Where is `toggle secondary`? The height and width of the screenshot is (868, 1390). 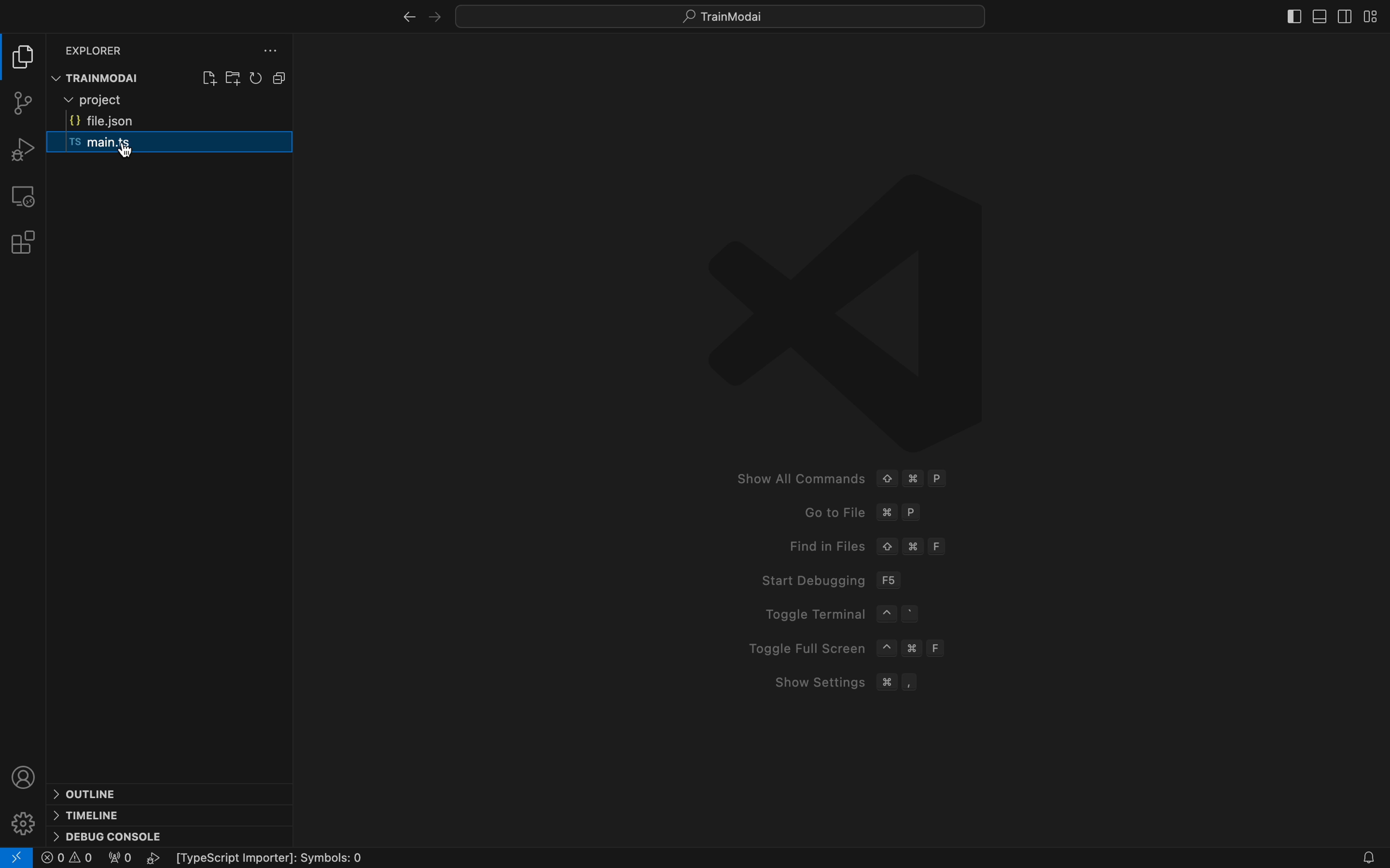 toggle secondary is located at coordinates (1345, 18).